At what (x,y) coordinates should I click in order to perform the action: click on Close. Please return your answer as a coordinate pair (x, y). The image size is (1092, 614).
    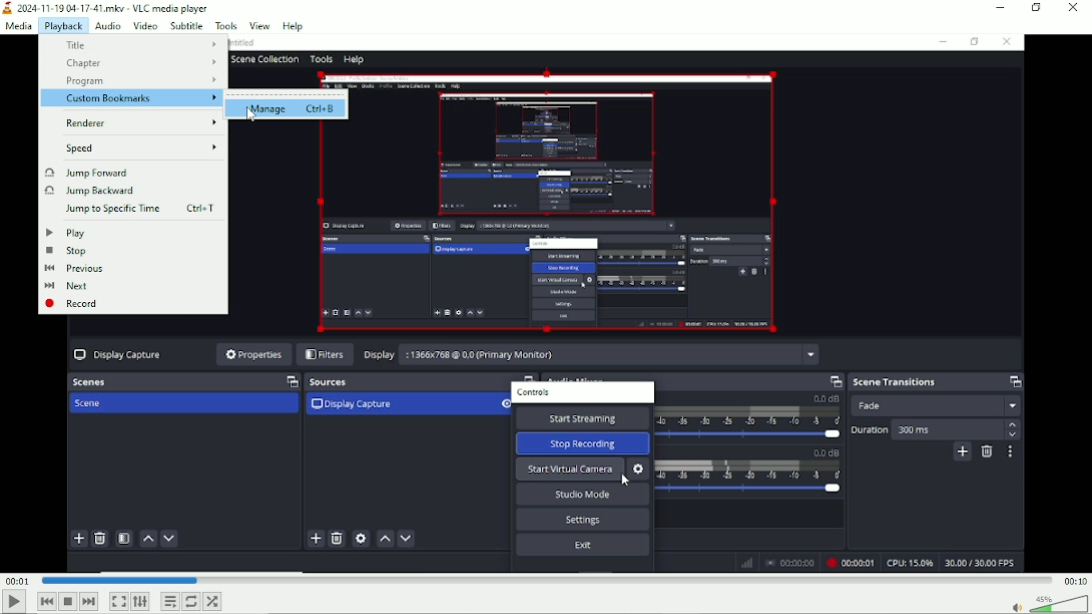
    Looking at the image, I should click on (1073, 9).